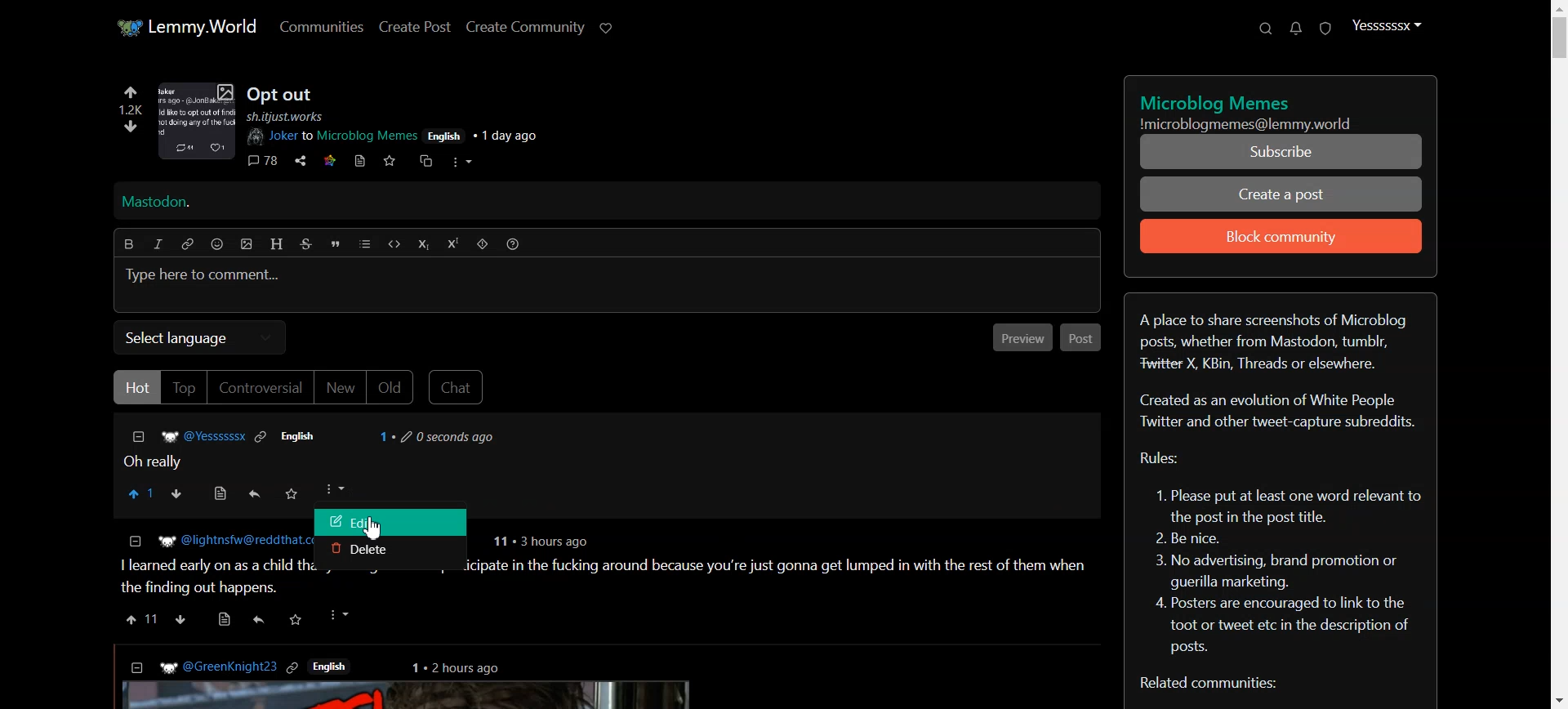 The height and width of the screenshot is (709, 1568). I want to click on View source, so click(221, 494).